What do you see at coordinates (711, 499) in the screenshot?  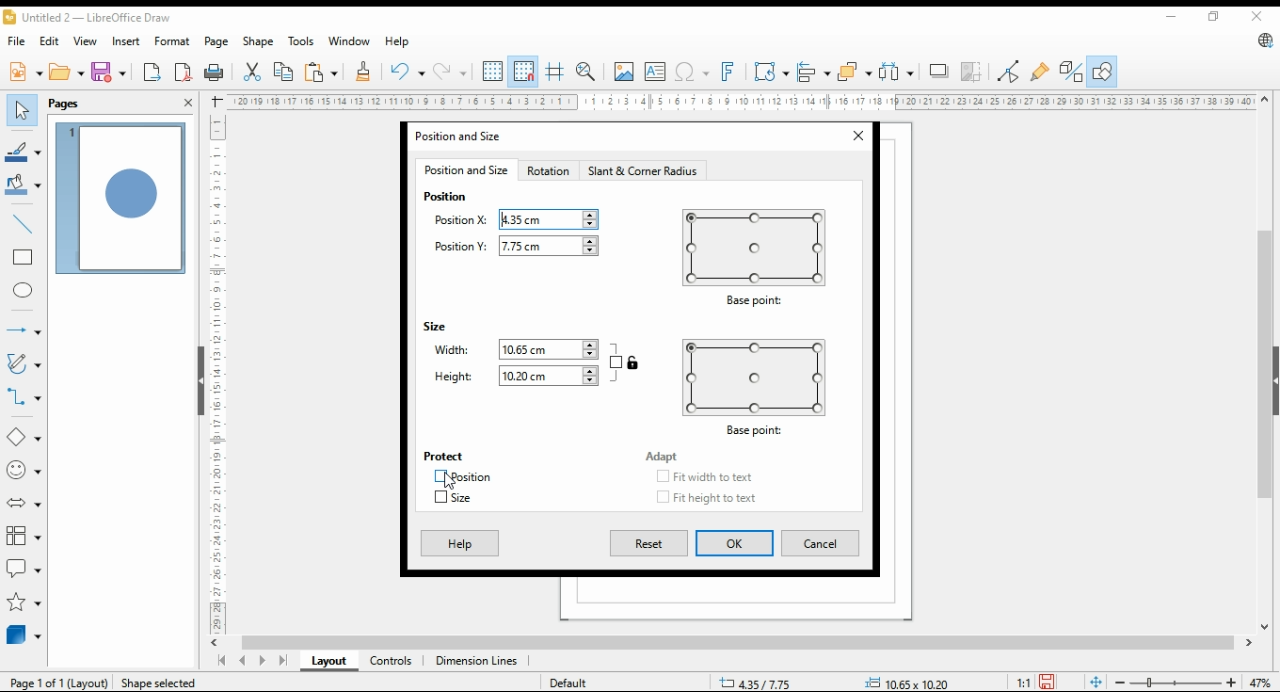 I see `checkbox: fit height to text` at bounding box center [711, 499].